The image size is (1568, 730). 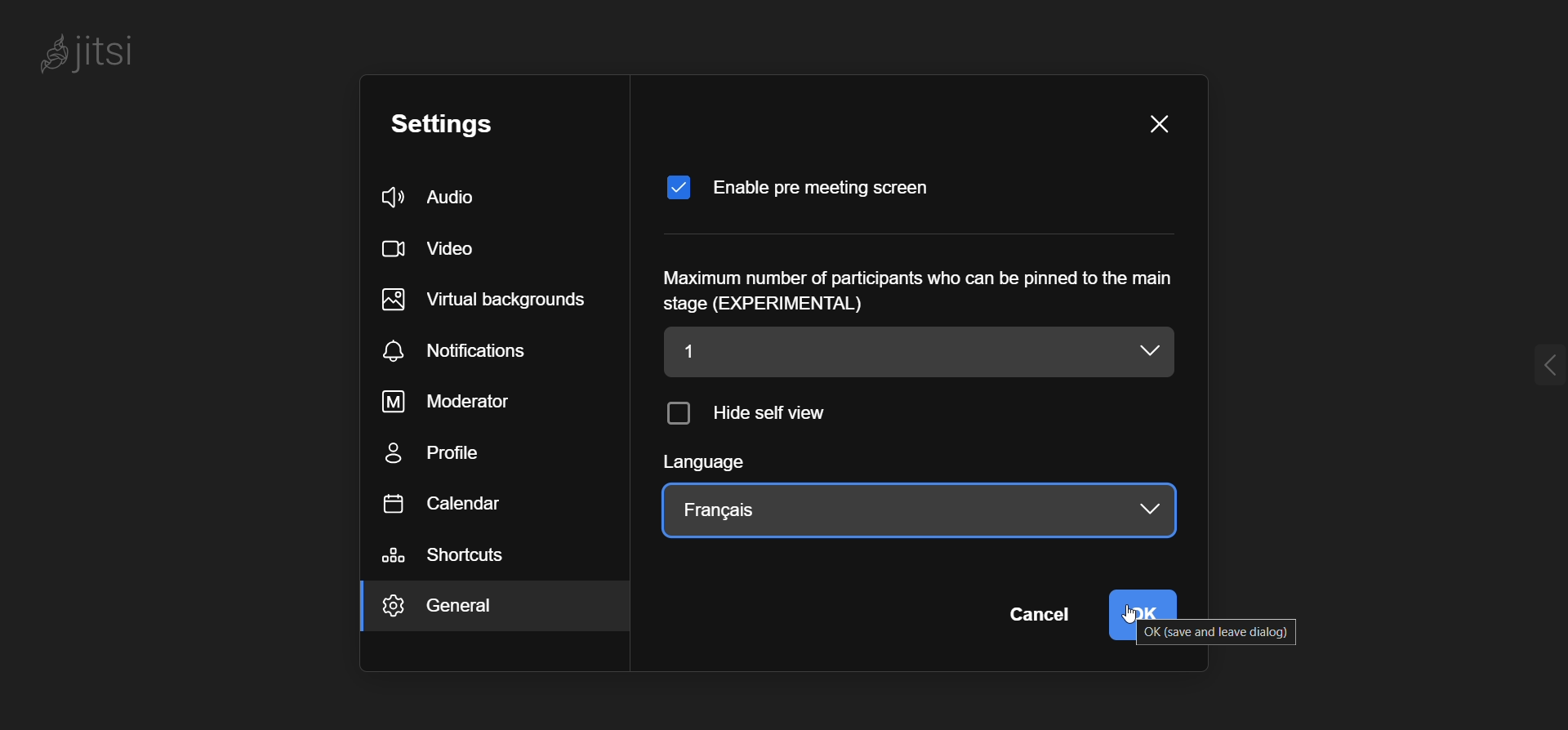 I want to click on notifications, so click(x=465, y=351).